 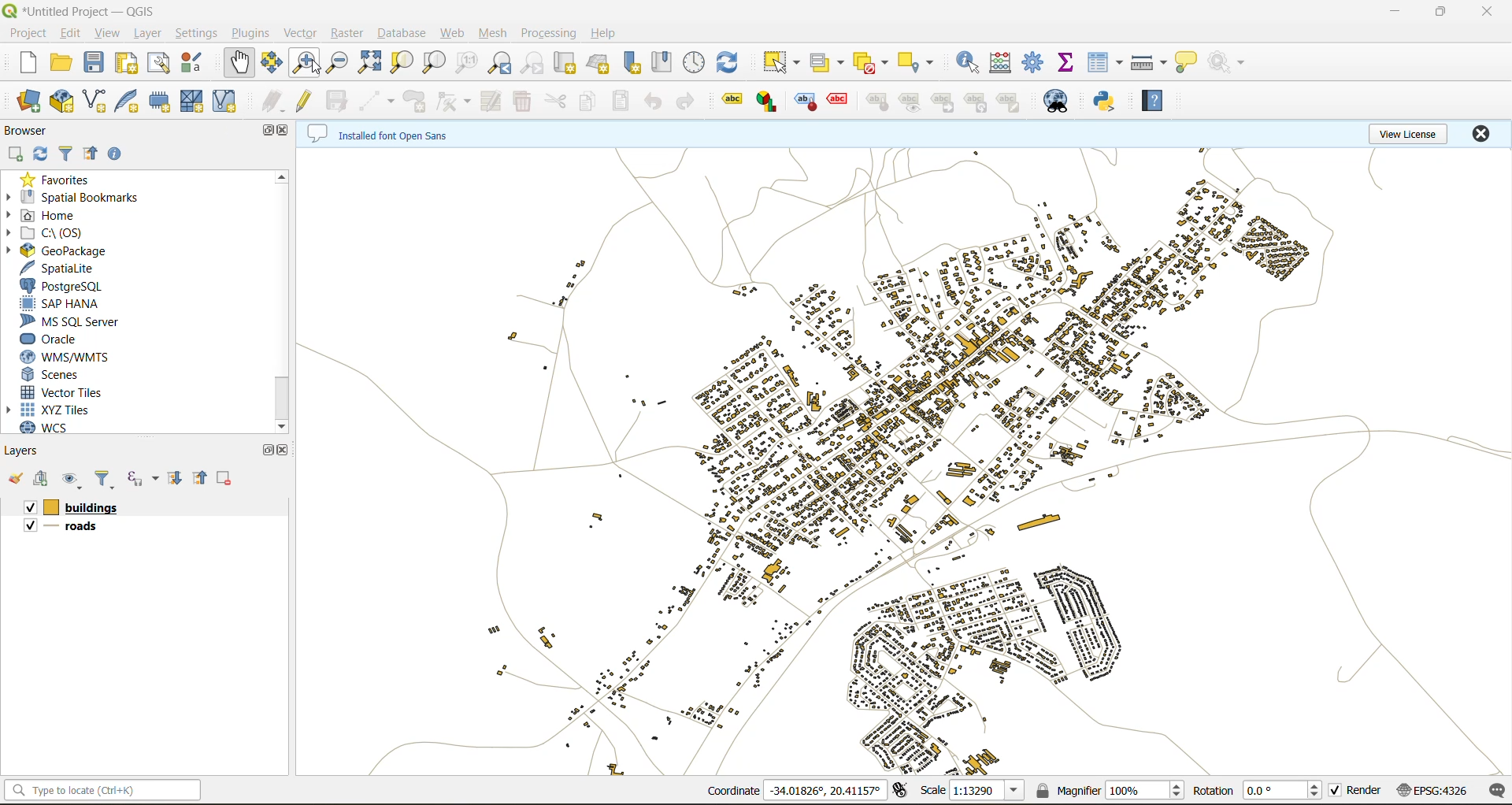 What do you see at coordinates (71, 35) in the screenshot?
I see `edit` at bounding box center [71, 35].